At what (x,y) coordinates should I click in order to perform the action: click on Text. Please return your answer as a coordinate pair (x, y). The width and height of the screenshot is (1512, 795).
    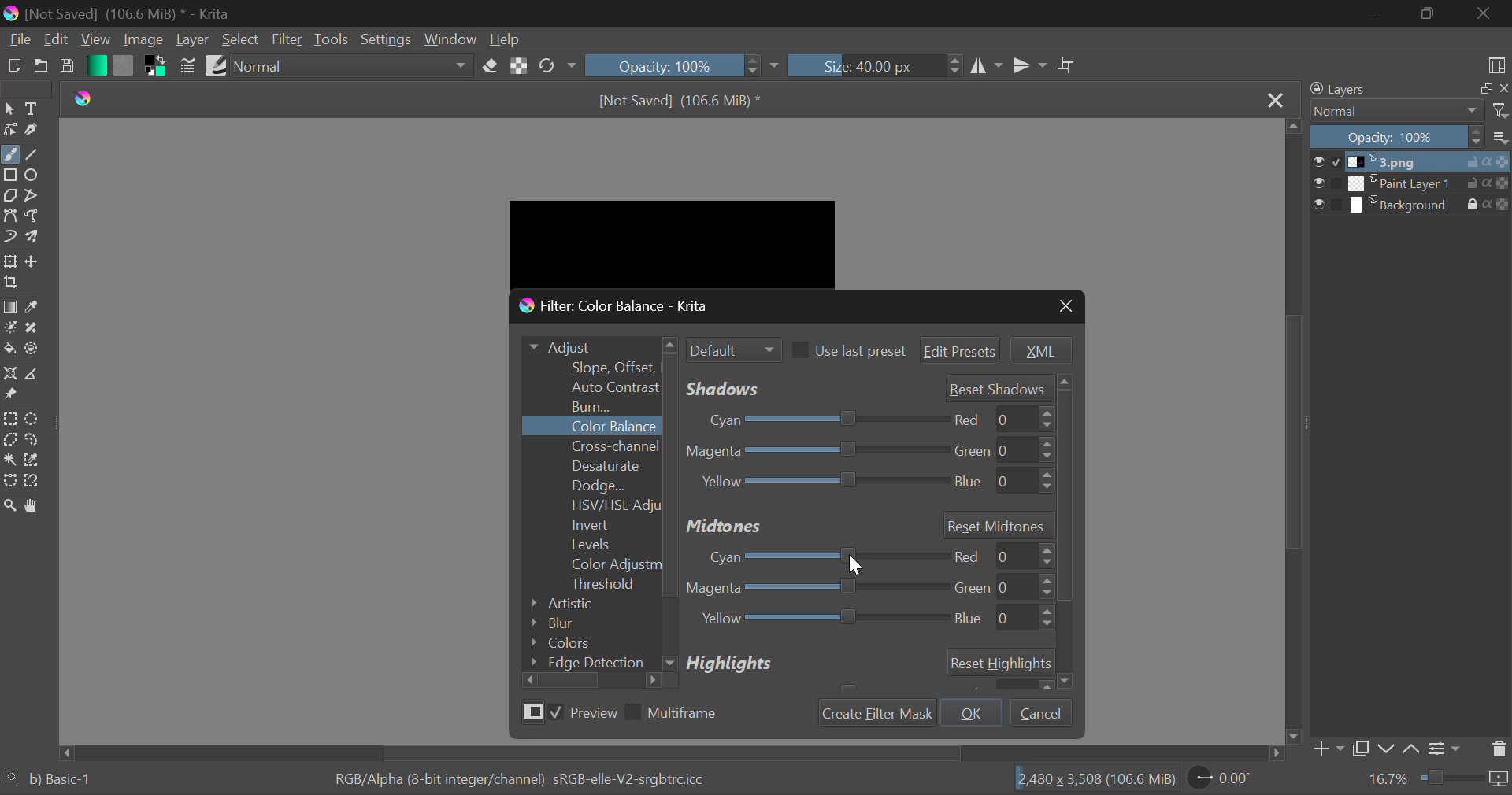
    Looking at the image, I should click on (33, 108).